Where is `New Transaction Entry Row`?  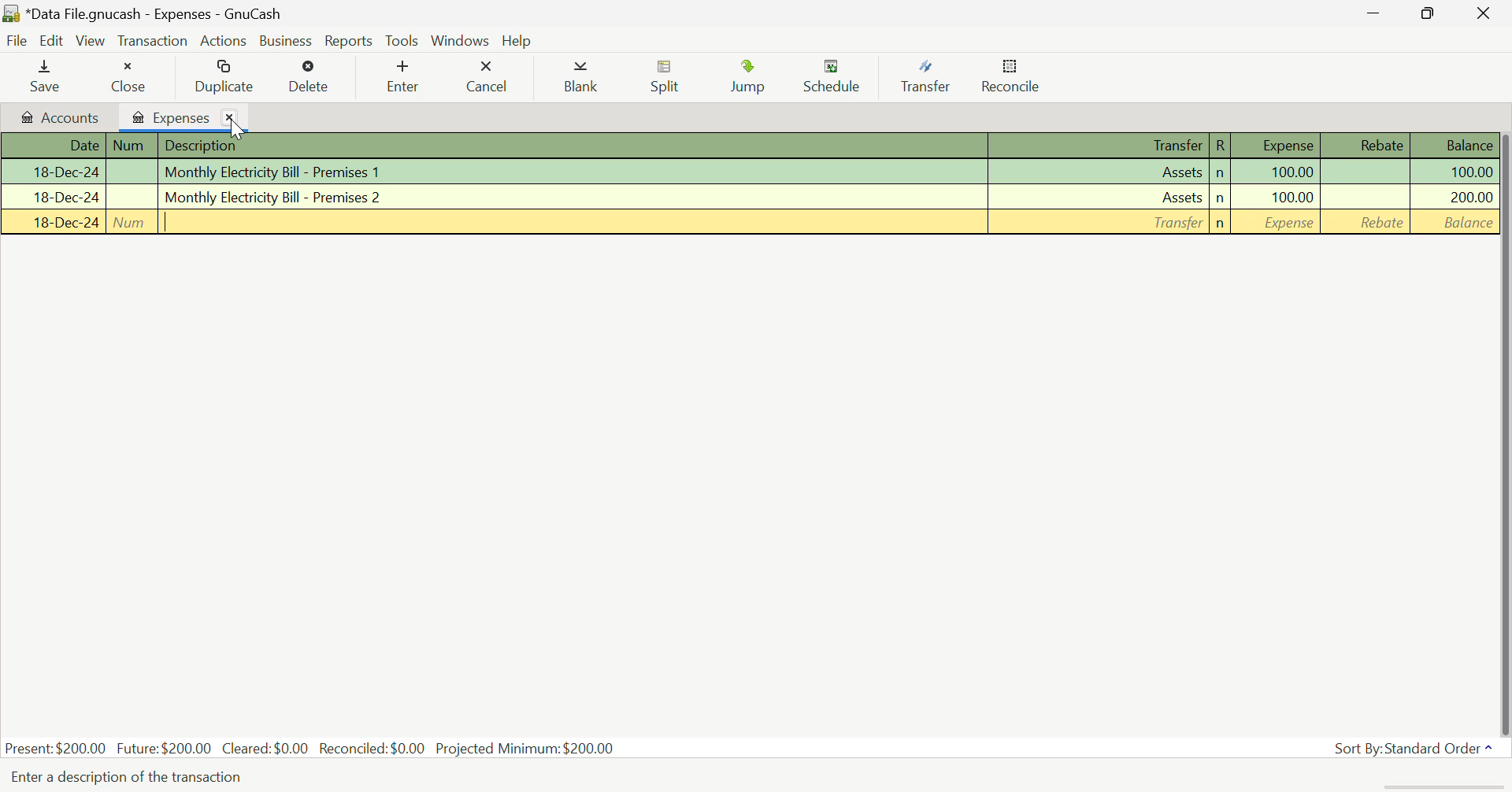
New Transaction Entry Row is located at coordinates (755, 220).